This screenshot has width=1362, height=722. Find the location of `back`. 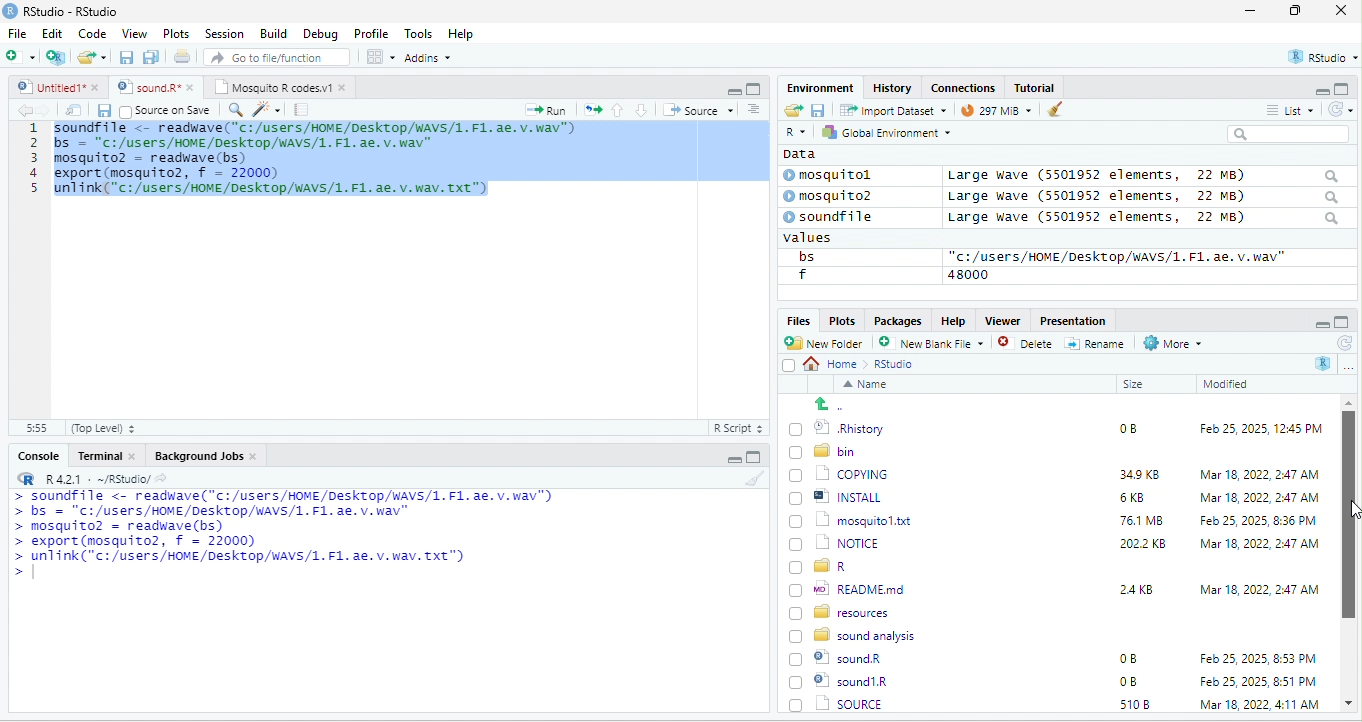

back is located at coordinates (28, 111).